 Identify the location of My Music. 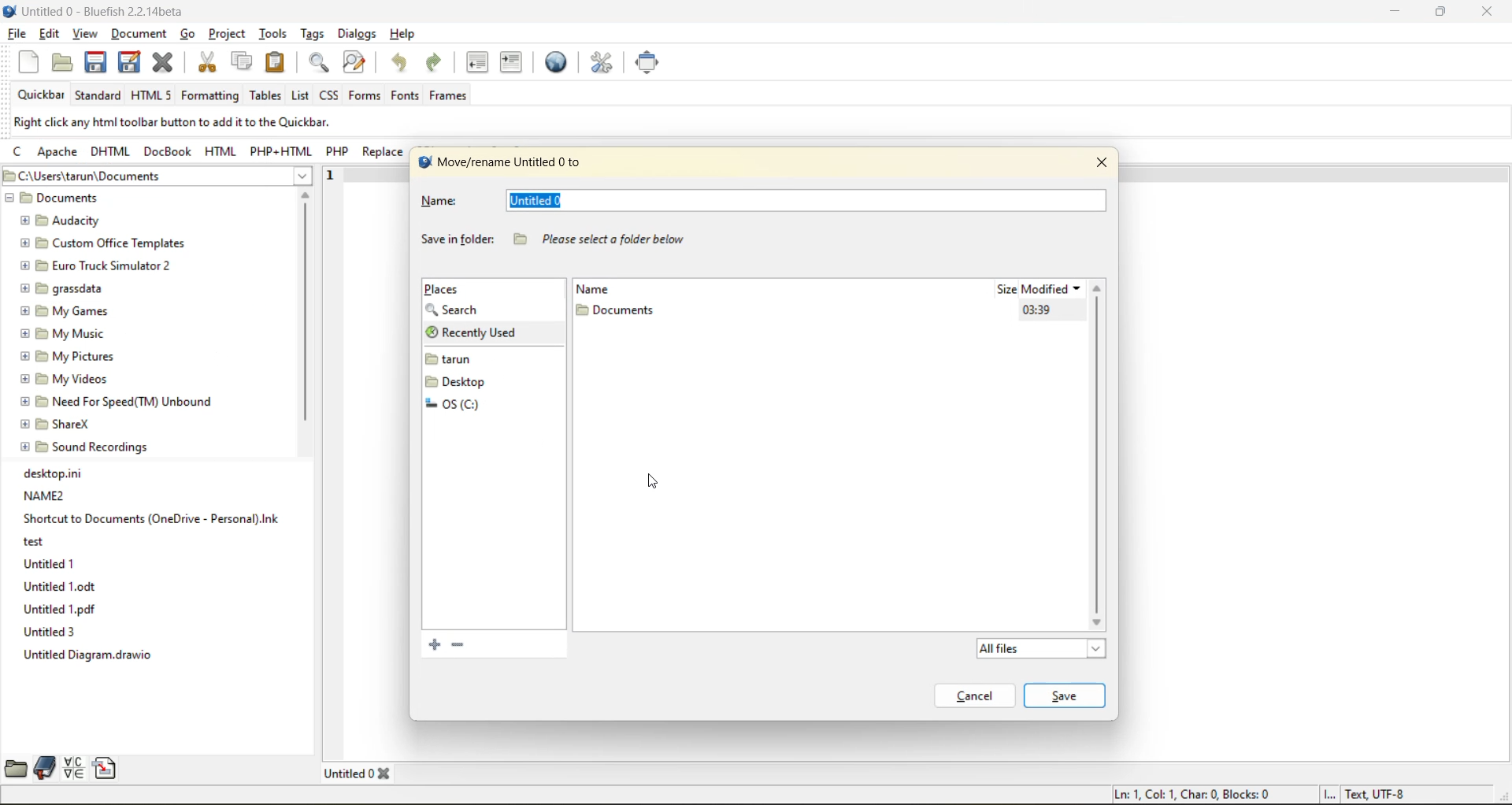
(67, 334).